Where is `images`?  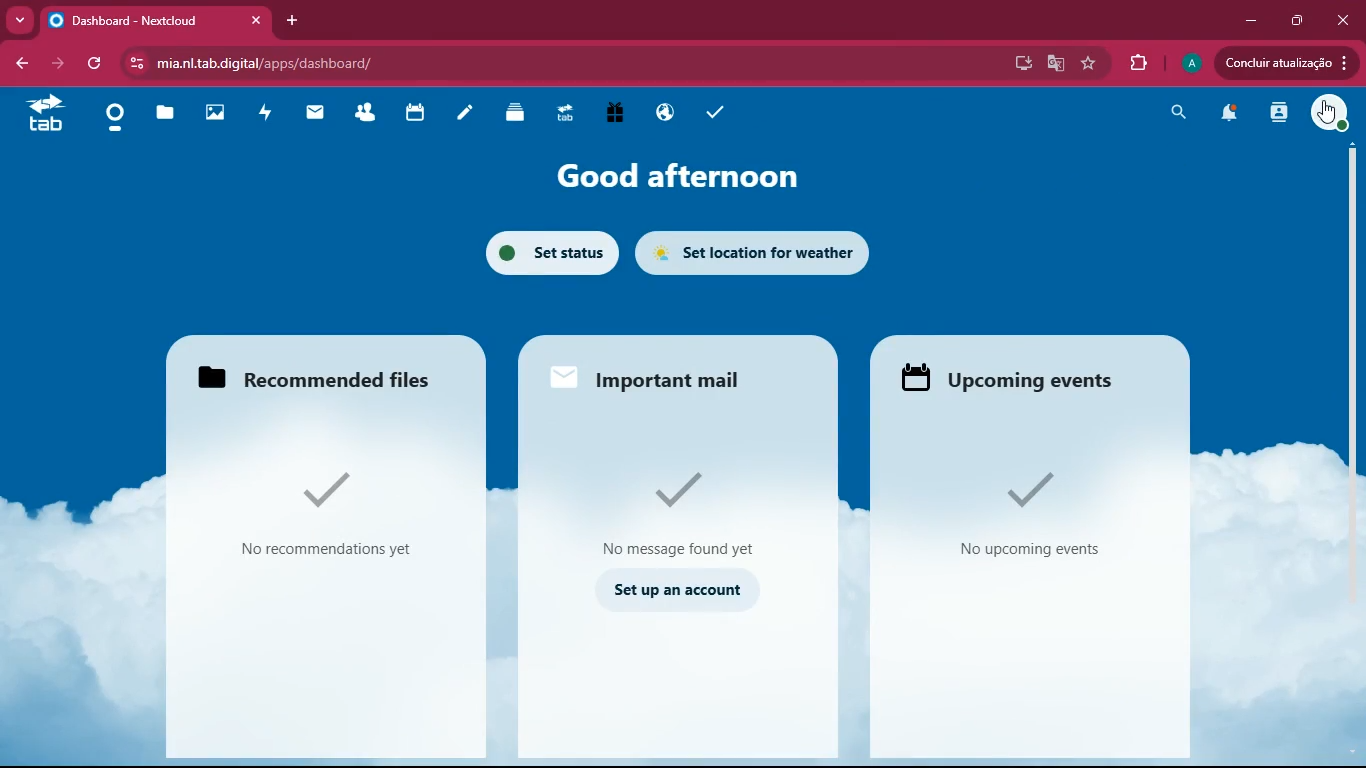 images is located at coordinates (222, 115).